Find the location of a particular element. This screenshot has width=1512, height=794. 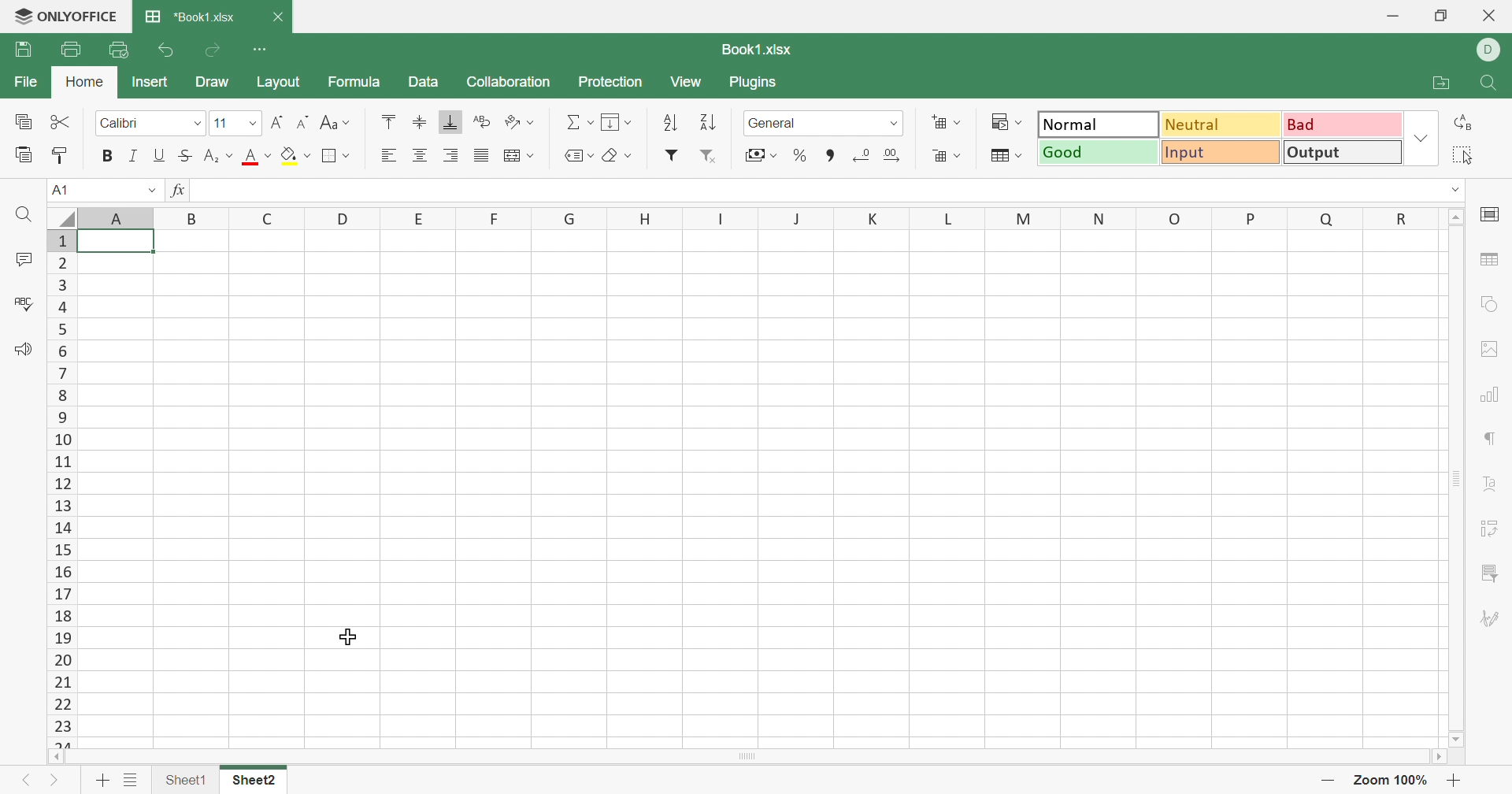

Borders is located at coordinates (325, 155).